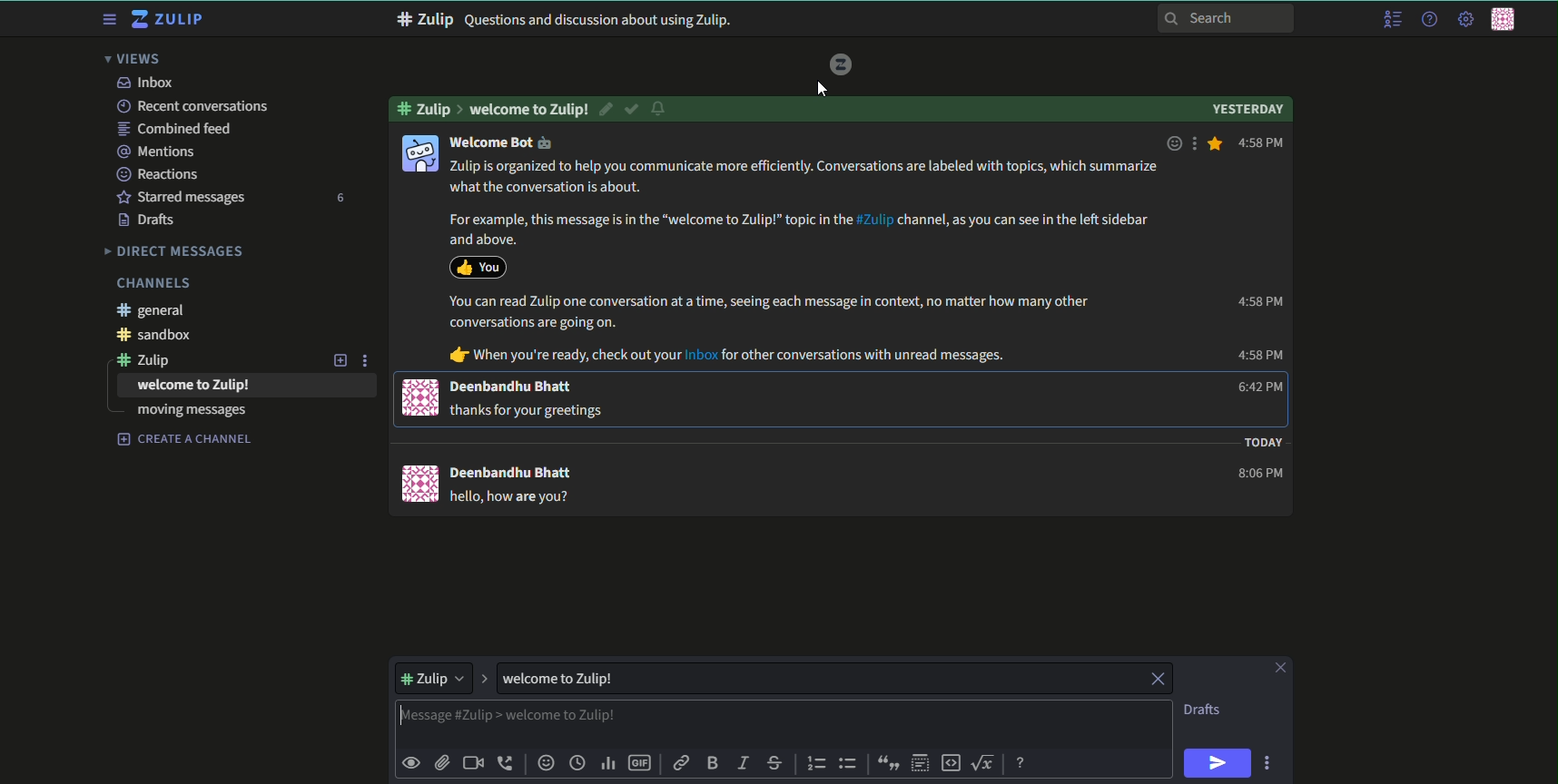  What do you see at coordinates (175, 250) in the screenshot?
I see `Direct messages` at bounding box center [175, 250].